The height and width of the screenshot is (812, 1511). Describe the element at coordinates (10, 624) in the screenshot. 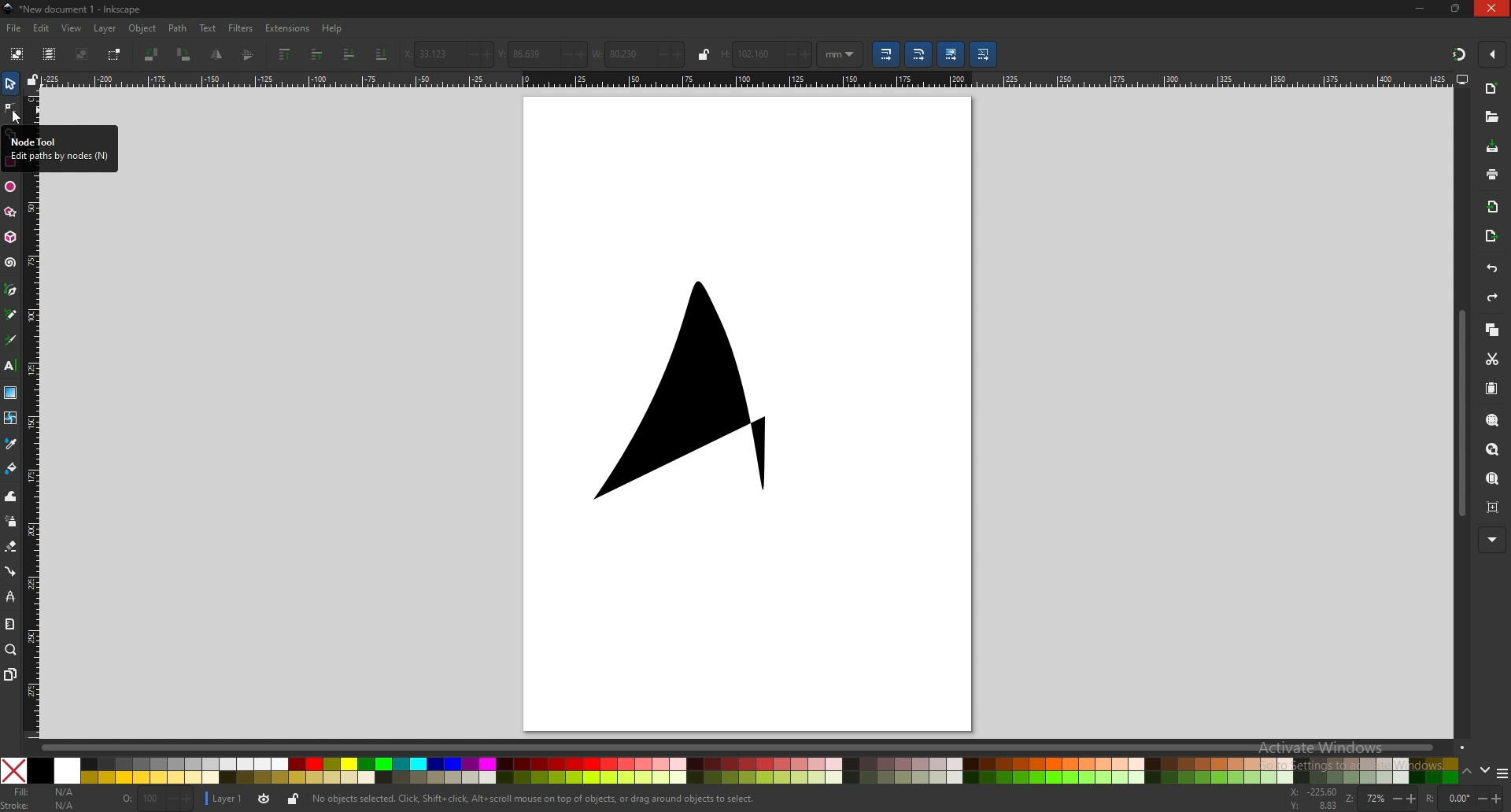

I see `measure` at that location.